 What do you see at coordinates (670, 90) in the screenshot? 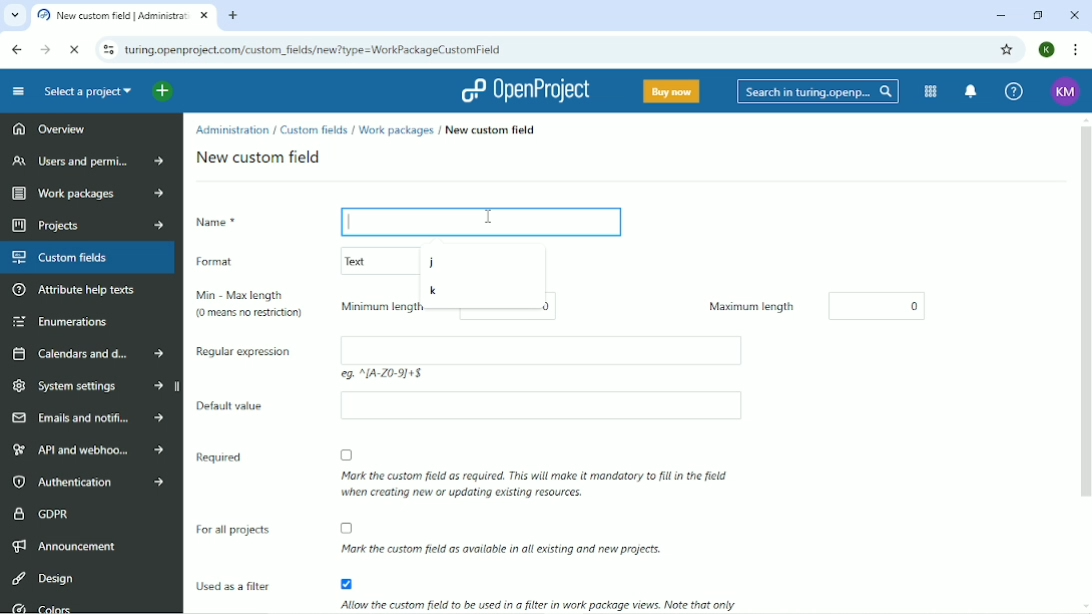
I see `Buy now` at bounding box center [670, 90].